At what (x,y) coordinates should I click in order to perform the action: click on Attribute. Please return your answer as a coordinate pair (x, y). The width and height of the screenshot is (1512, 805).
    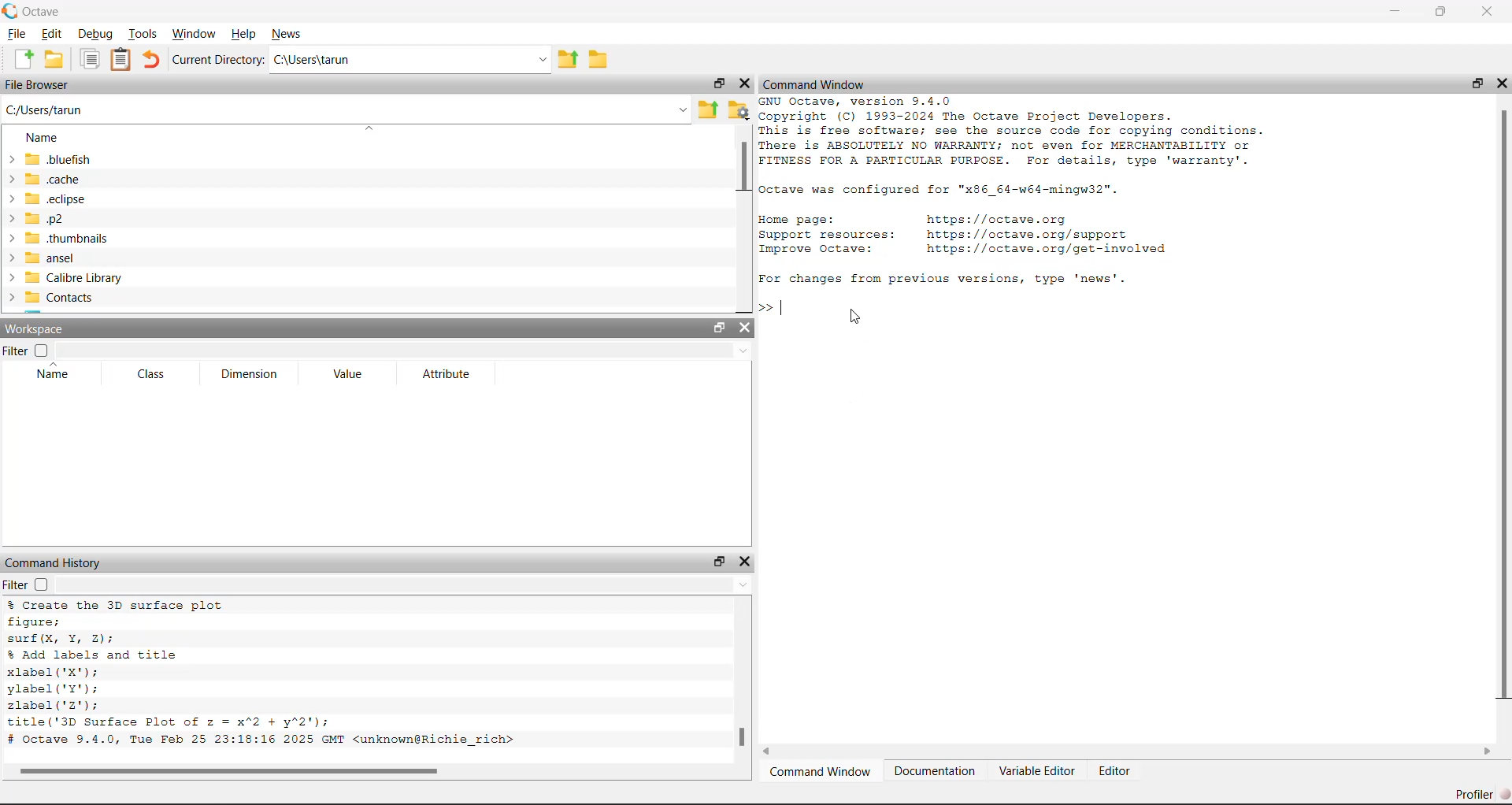
    Looking at the image, I should click on (448, 373).